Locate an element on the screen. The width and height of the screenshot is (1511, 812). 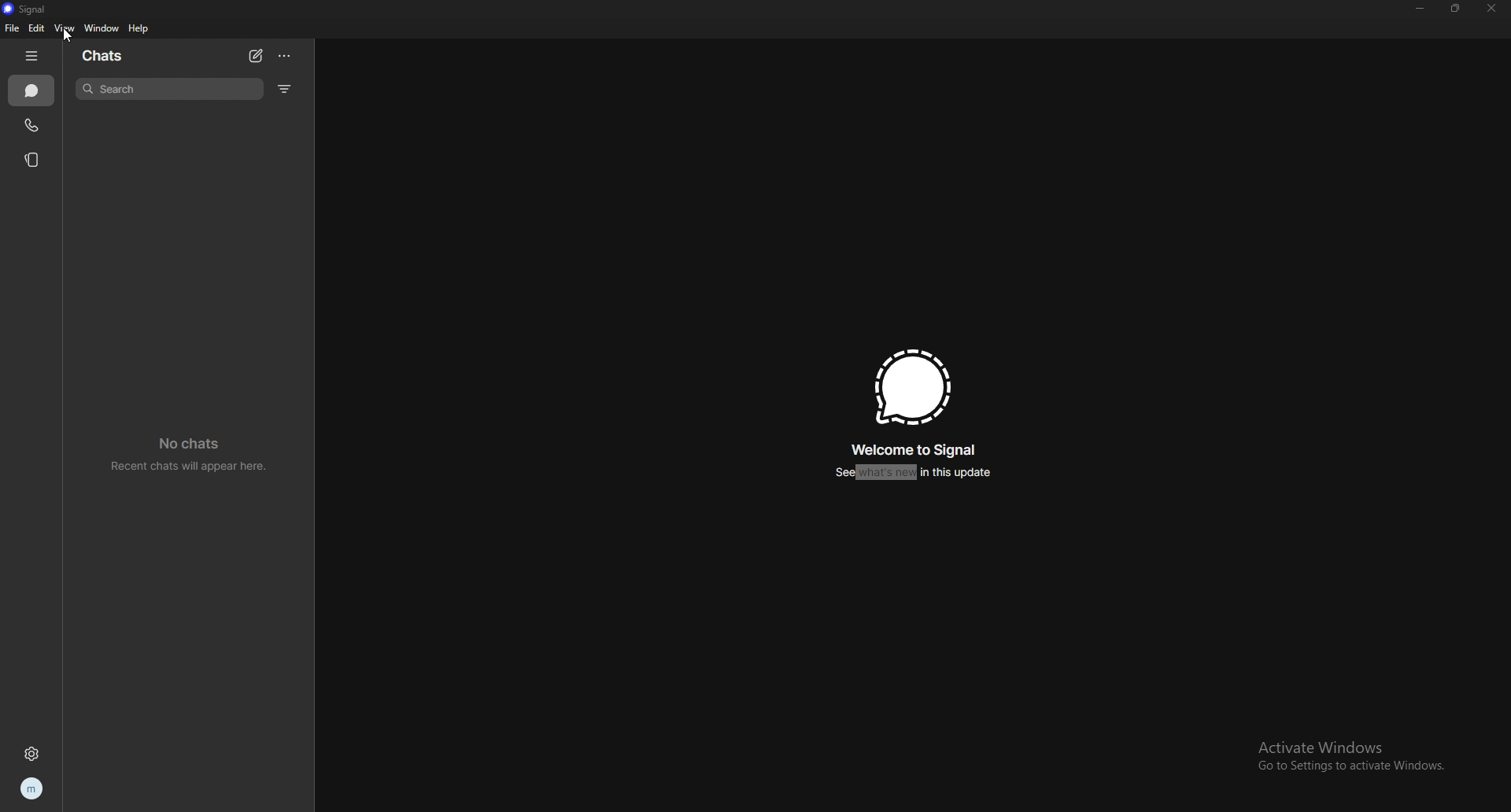
signal logo is located at coordinates (913, 388).